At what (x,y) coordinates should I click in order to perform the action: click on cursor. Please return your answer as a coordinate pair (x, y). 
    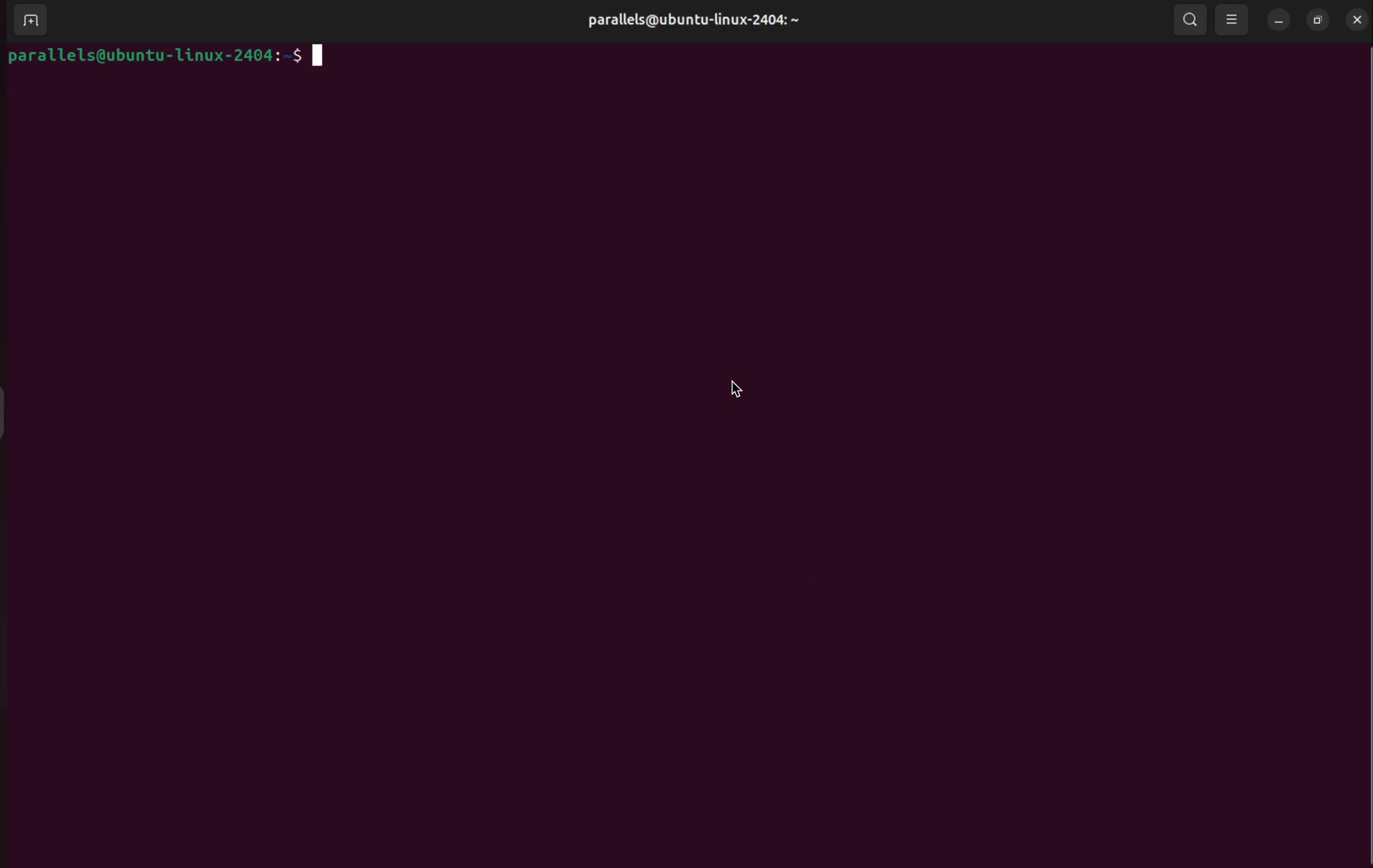
    Looking at the image, I should click on (738, 393).